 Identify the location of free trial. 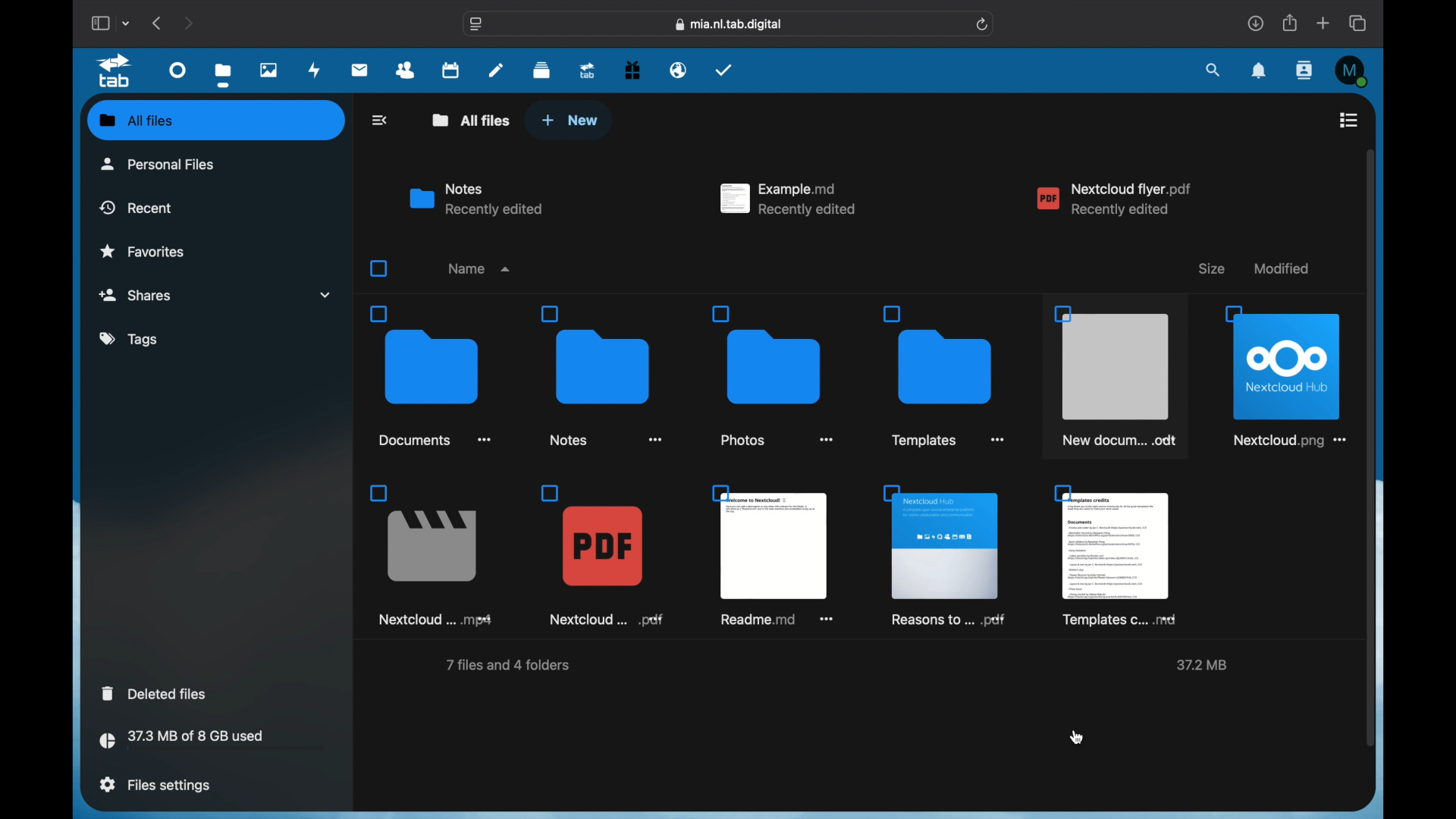
(632, 71).